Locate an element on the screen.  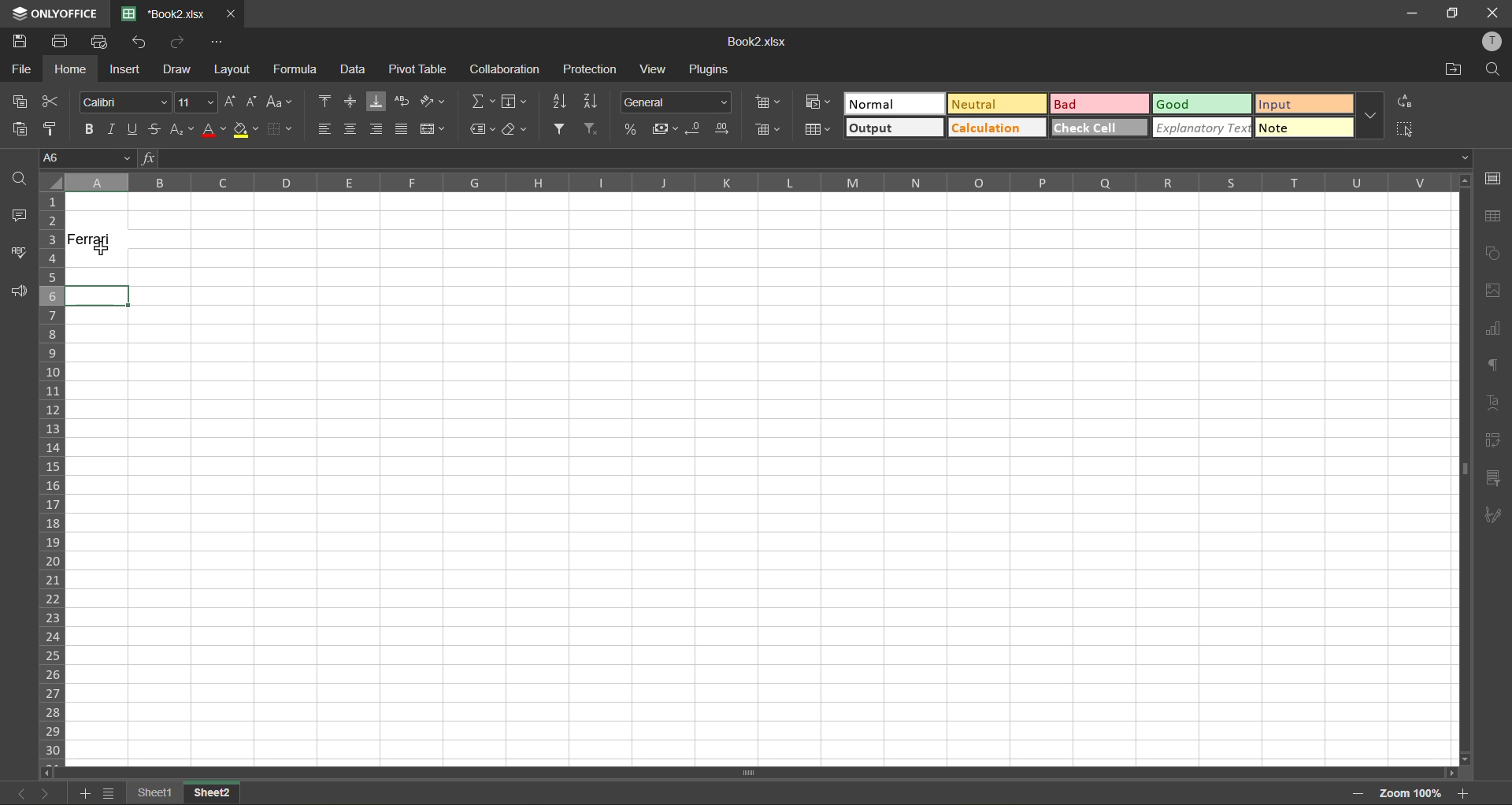
fill color is located at coordinates (242, 129).